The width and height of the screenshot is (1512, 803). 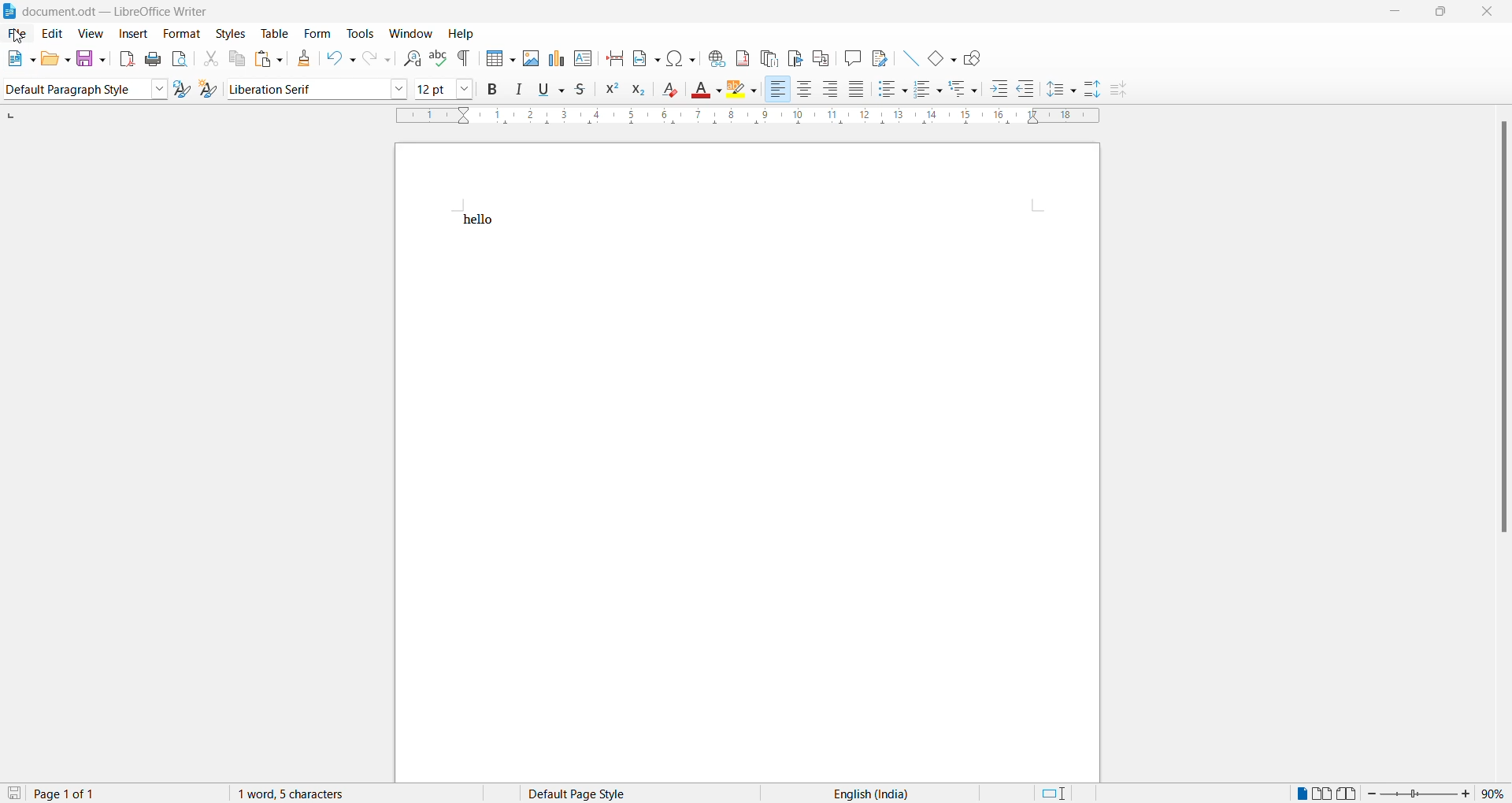 I want to click on Show draw function, so click(x=975, y=58).